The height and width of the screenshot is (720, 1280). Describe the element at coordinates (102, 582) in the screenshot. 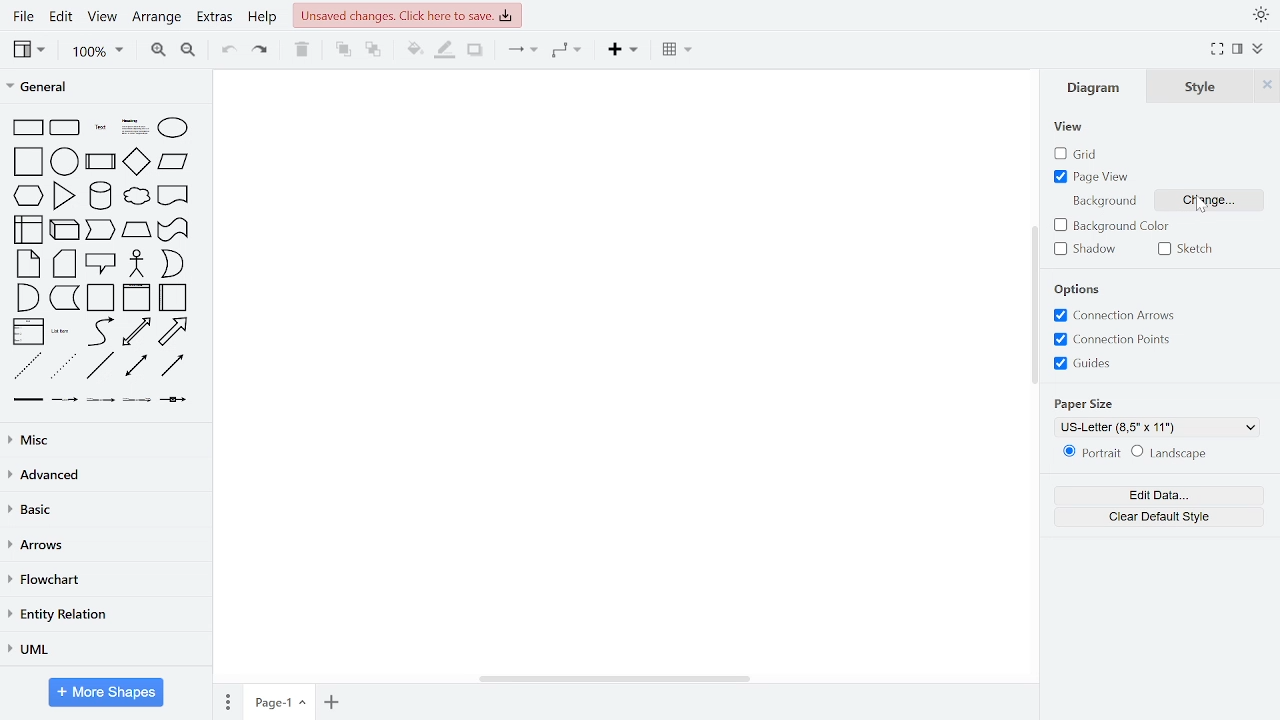

I see `flowchart` at that location.